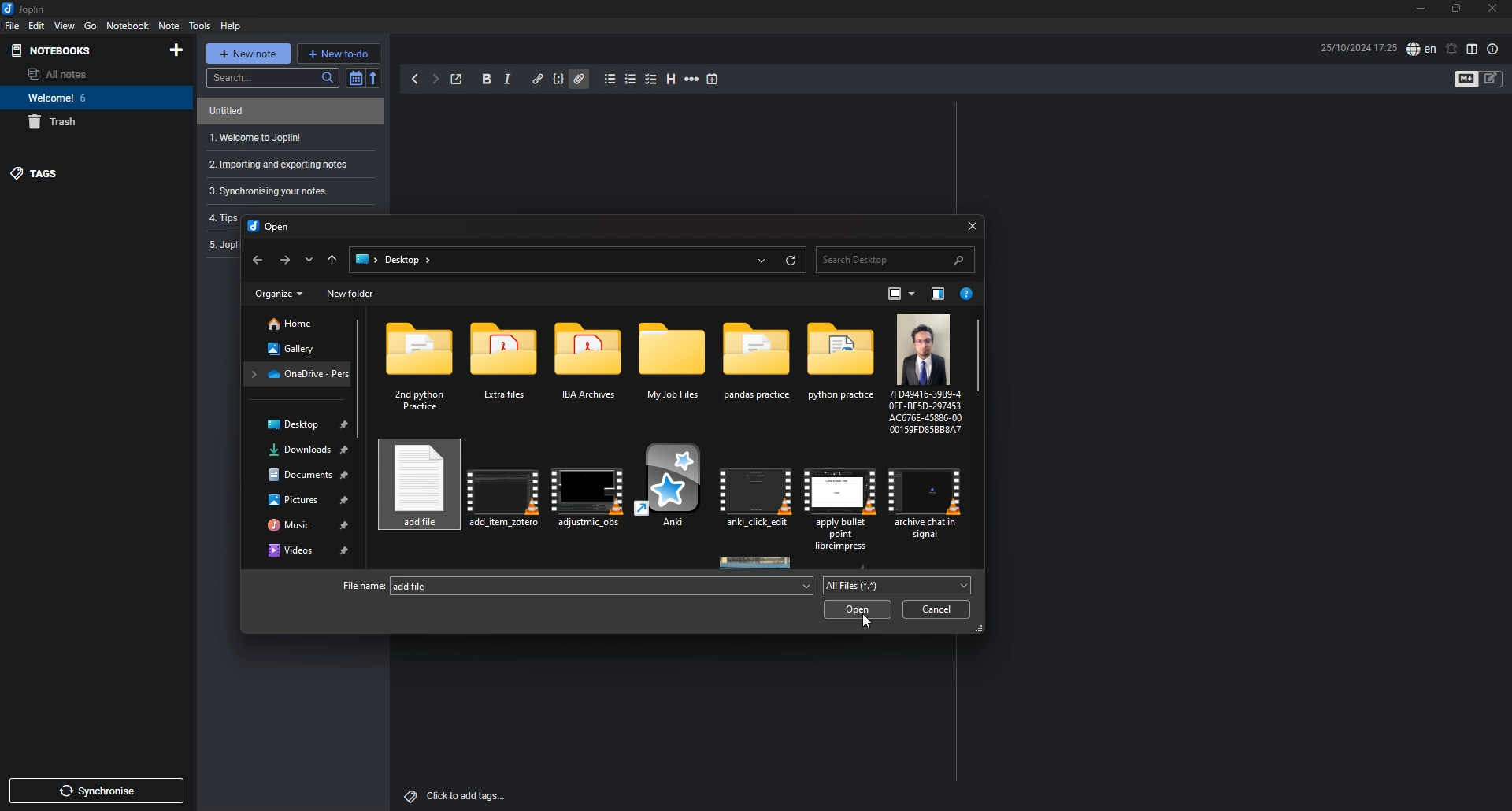 This screenshot has height=811, width=1512. Describe the element at coordinates (298, 324) in the screenshot. I see `home` at that location.